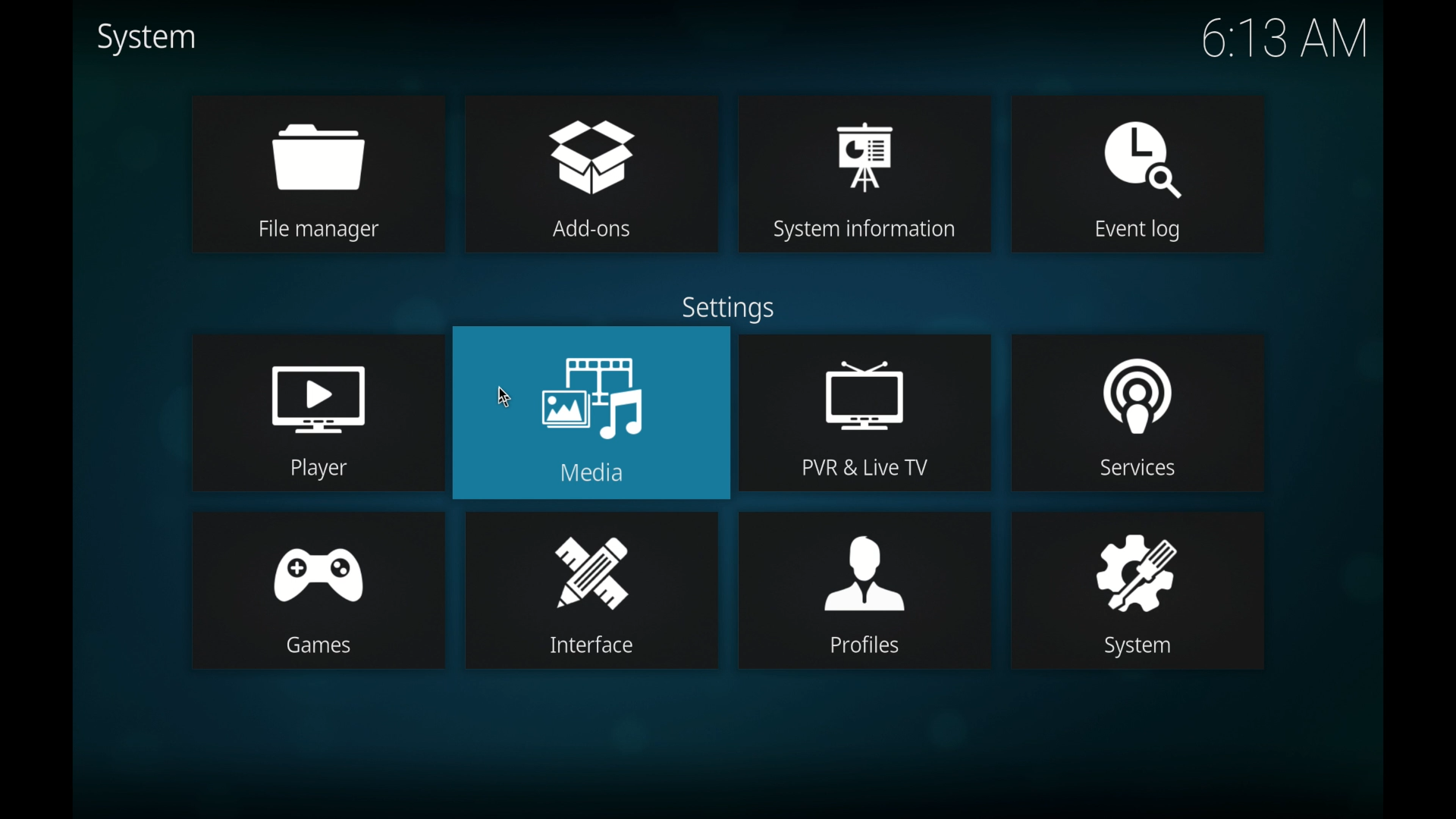 This screenshot has width=1456, height=819. I want to click on system, so click(1137, 591).